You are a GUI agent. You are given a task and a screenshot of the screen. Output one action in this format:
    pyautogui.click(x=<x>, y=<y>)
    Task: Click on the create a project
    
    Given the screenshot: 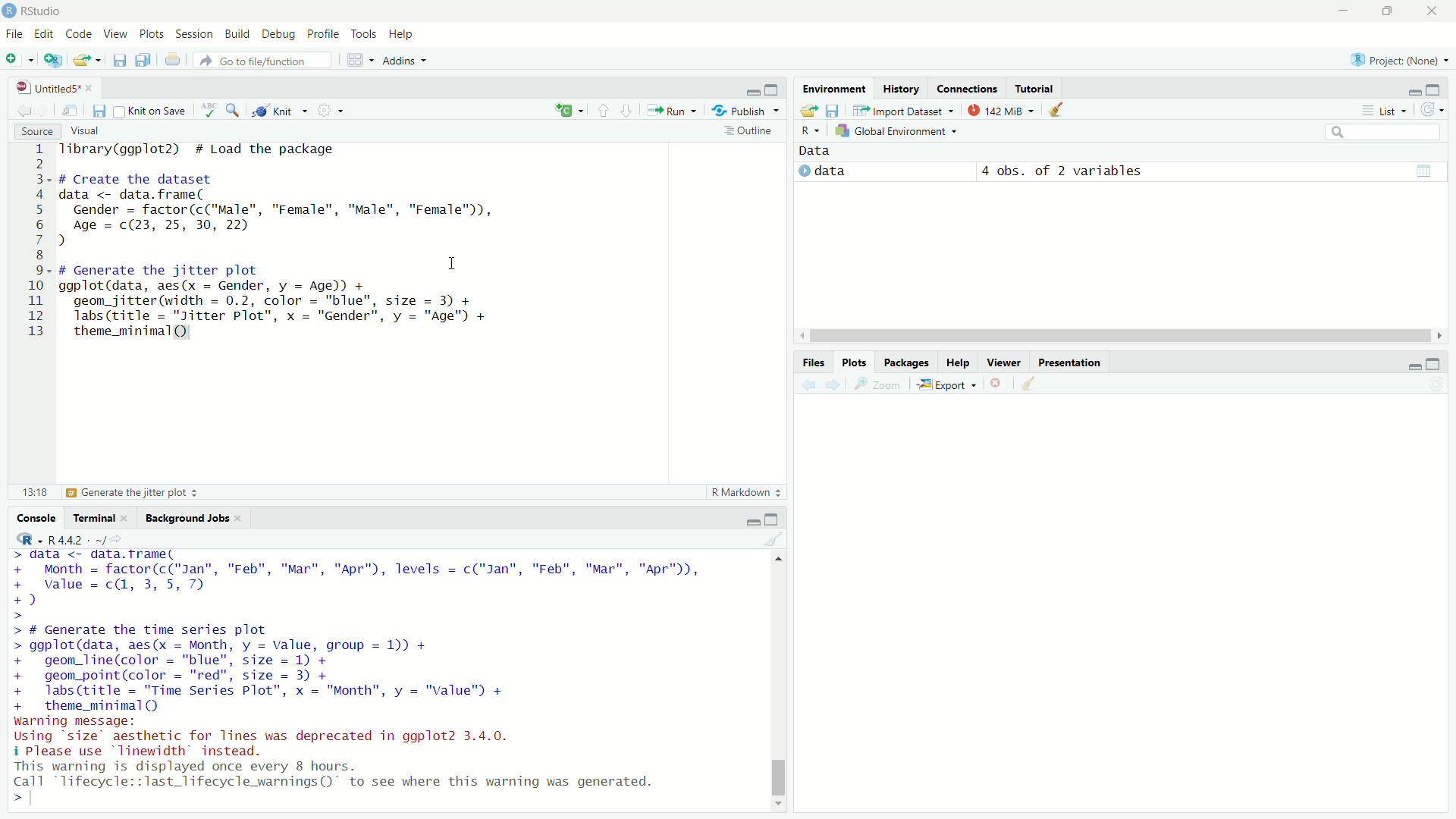 What is the action you would take?
    pyautogui.click(x=54, y=58)
    